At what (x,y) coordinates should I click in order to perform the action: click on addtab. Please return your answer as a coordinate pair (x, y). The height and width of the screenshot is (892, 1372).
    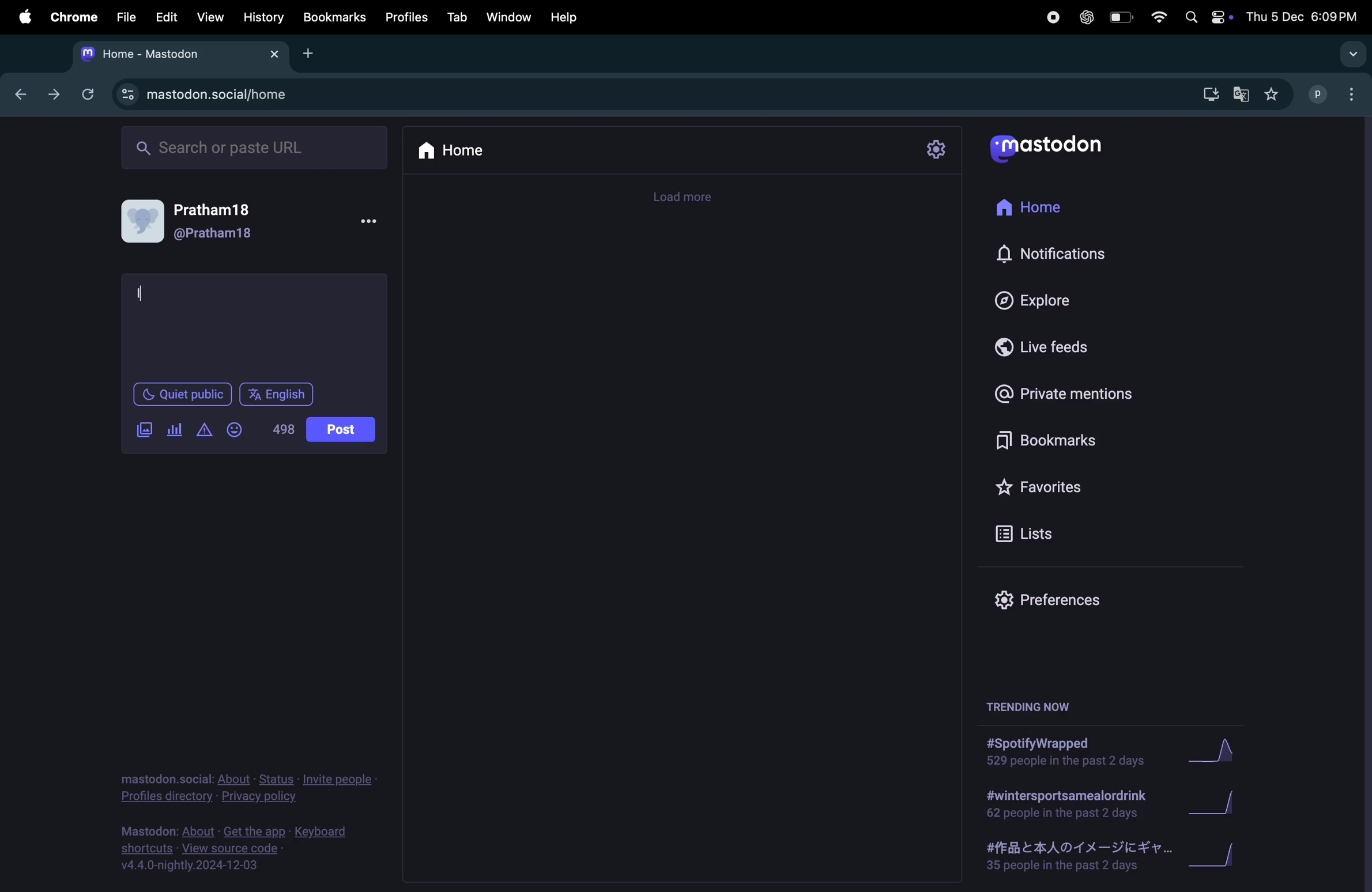
    Looking at the image, I should click on (312, 52).